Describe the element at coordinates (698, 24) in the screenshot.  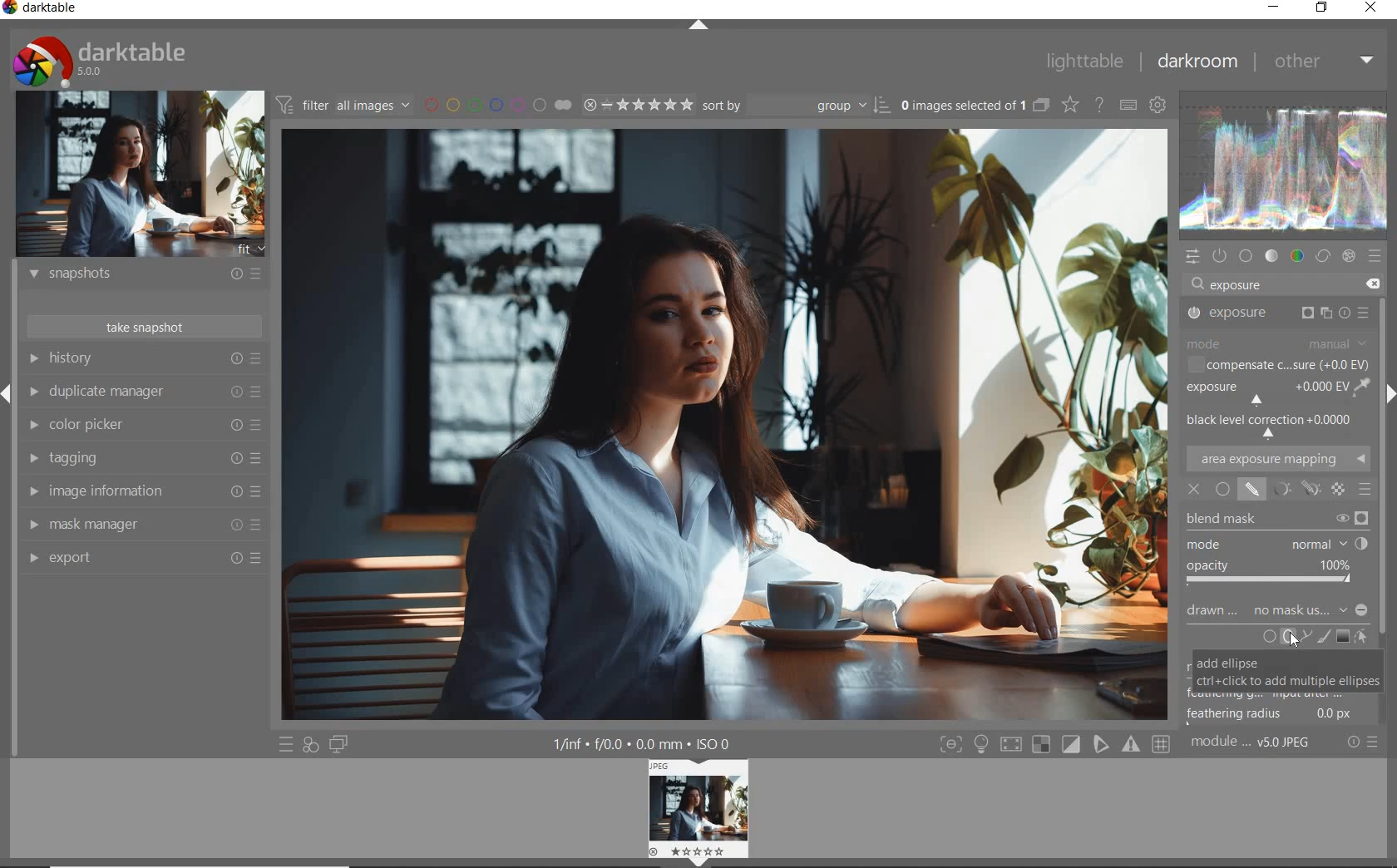
I see `expand/collapse` at that location.